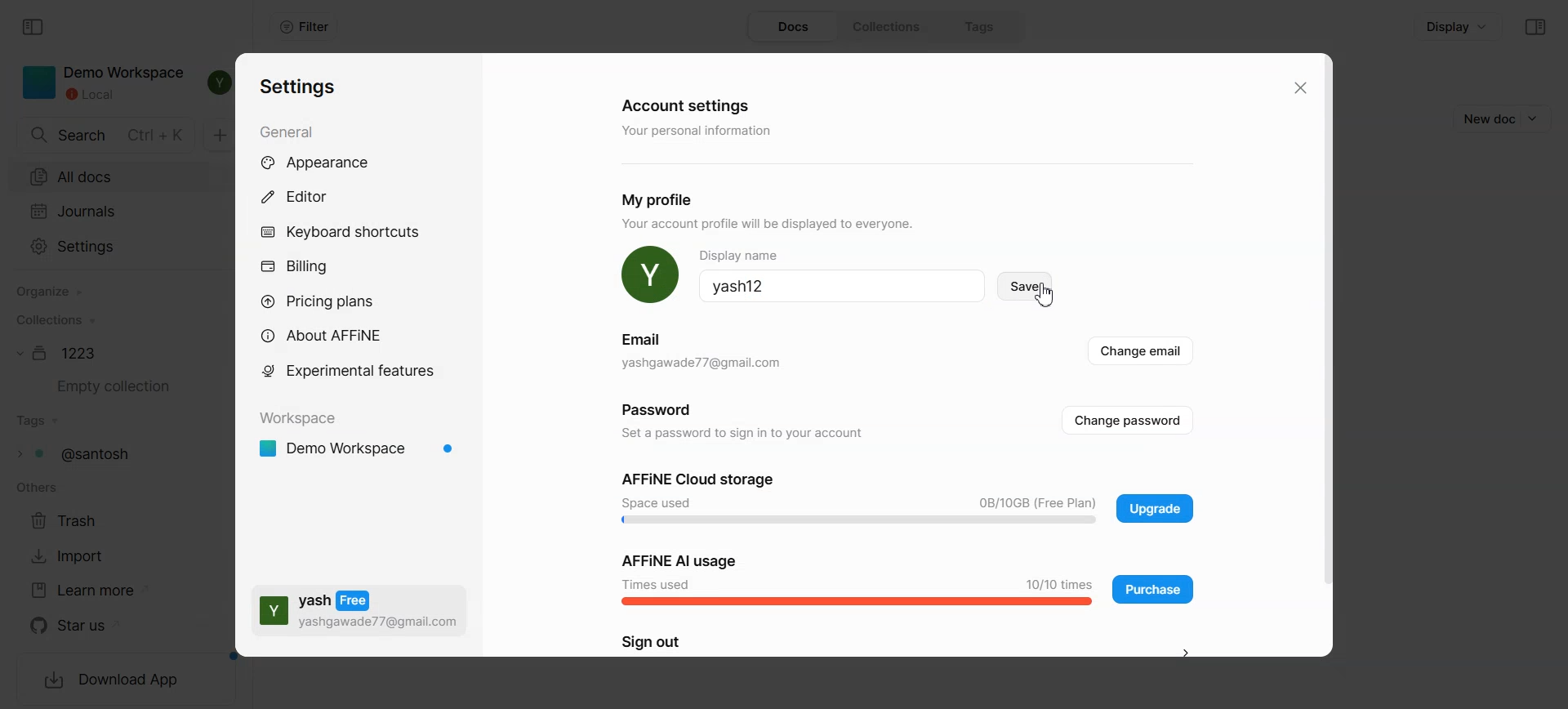 The image size is (1568, 709). I want to click on Display name, so click(842, 286).